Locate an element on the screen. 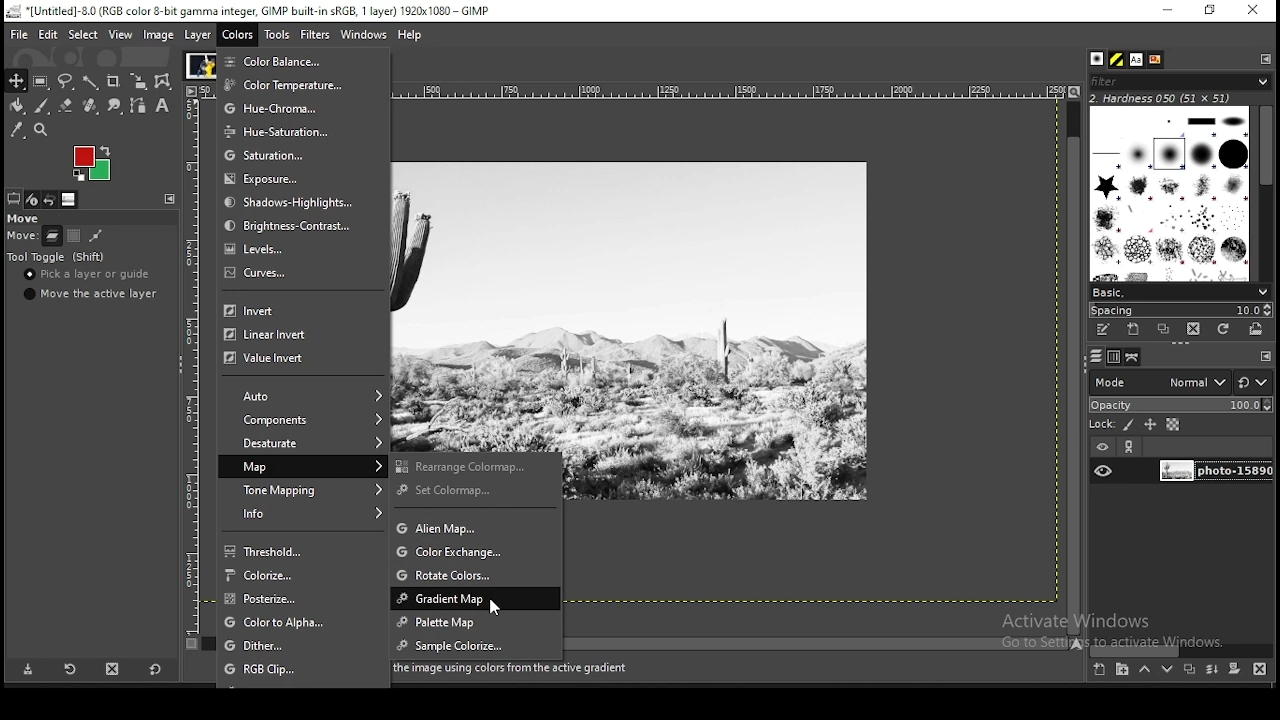 The height and width of the screenshot is (720, 1280). curve is located at coordinates (301, 279).